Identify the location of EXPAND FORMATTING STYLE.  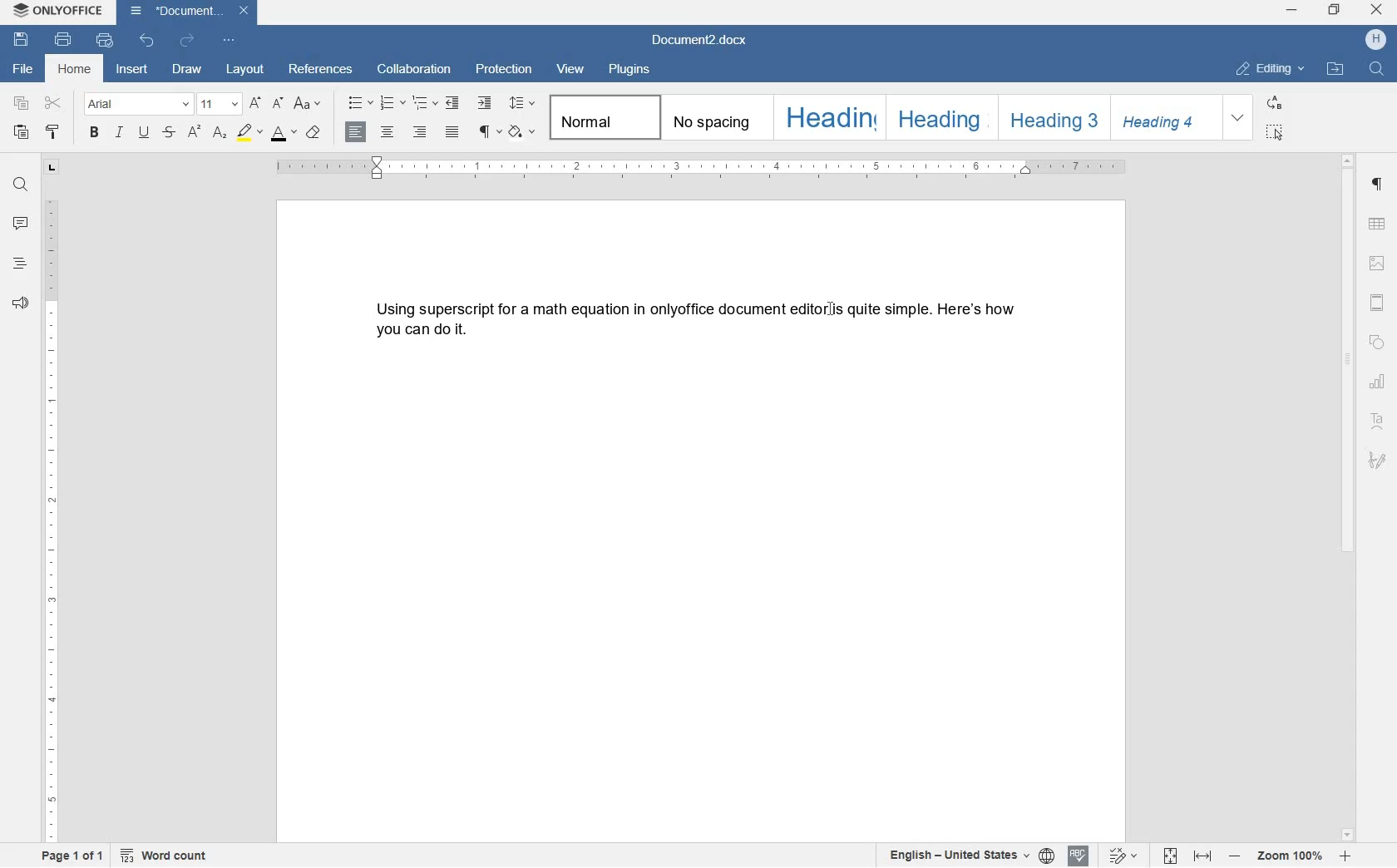
(1240, 118).